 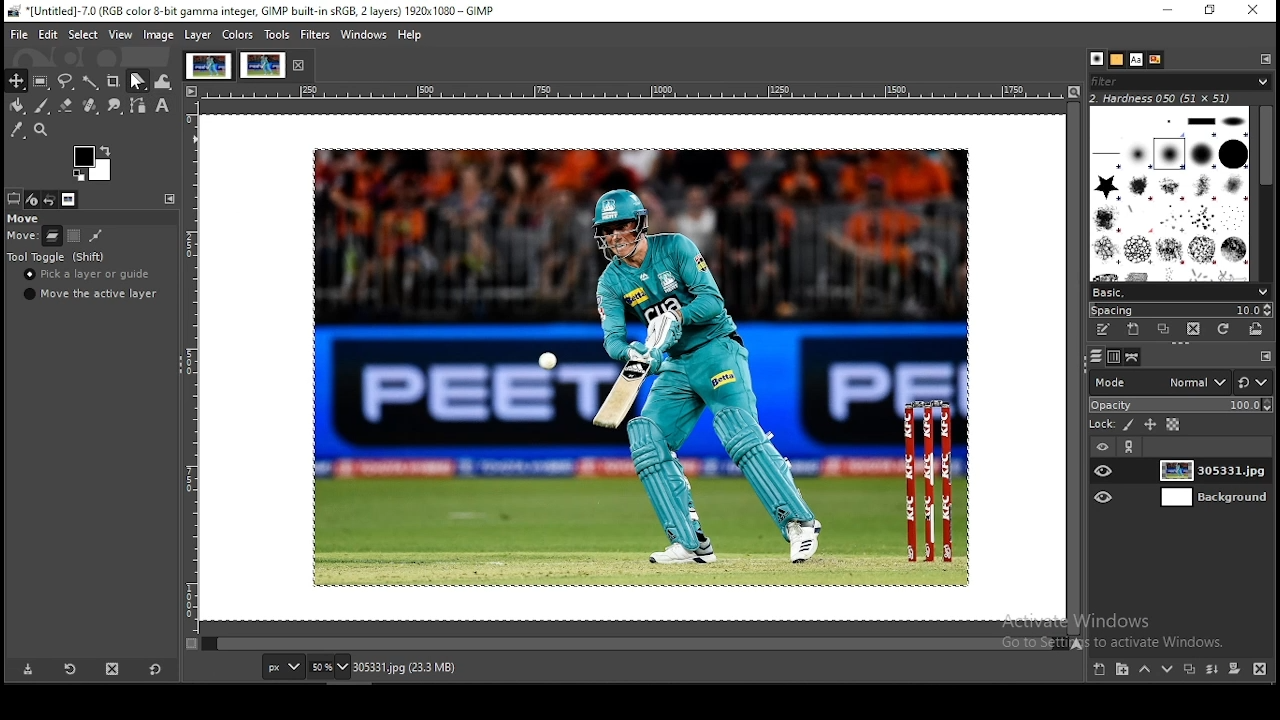 What do you see at coordinates (89, 294) in the screenshot?
I see `move the active layer` at bounding box center [89, 294].